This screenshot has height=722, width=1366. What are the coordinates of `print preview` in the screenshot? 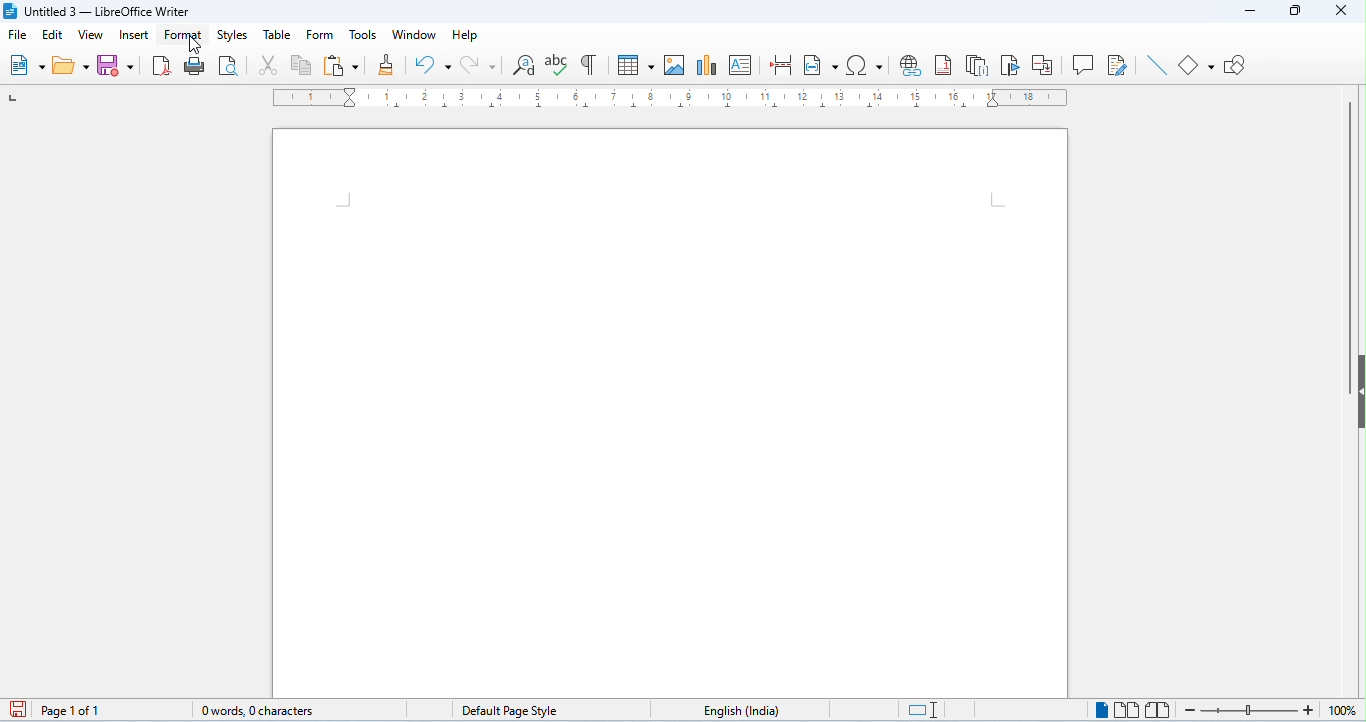 It's located at (229, 66).